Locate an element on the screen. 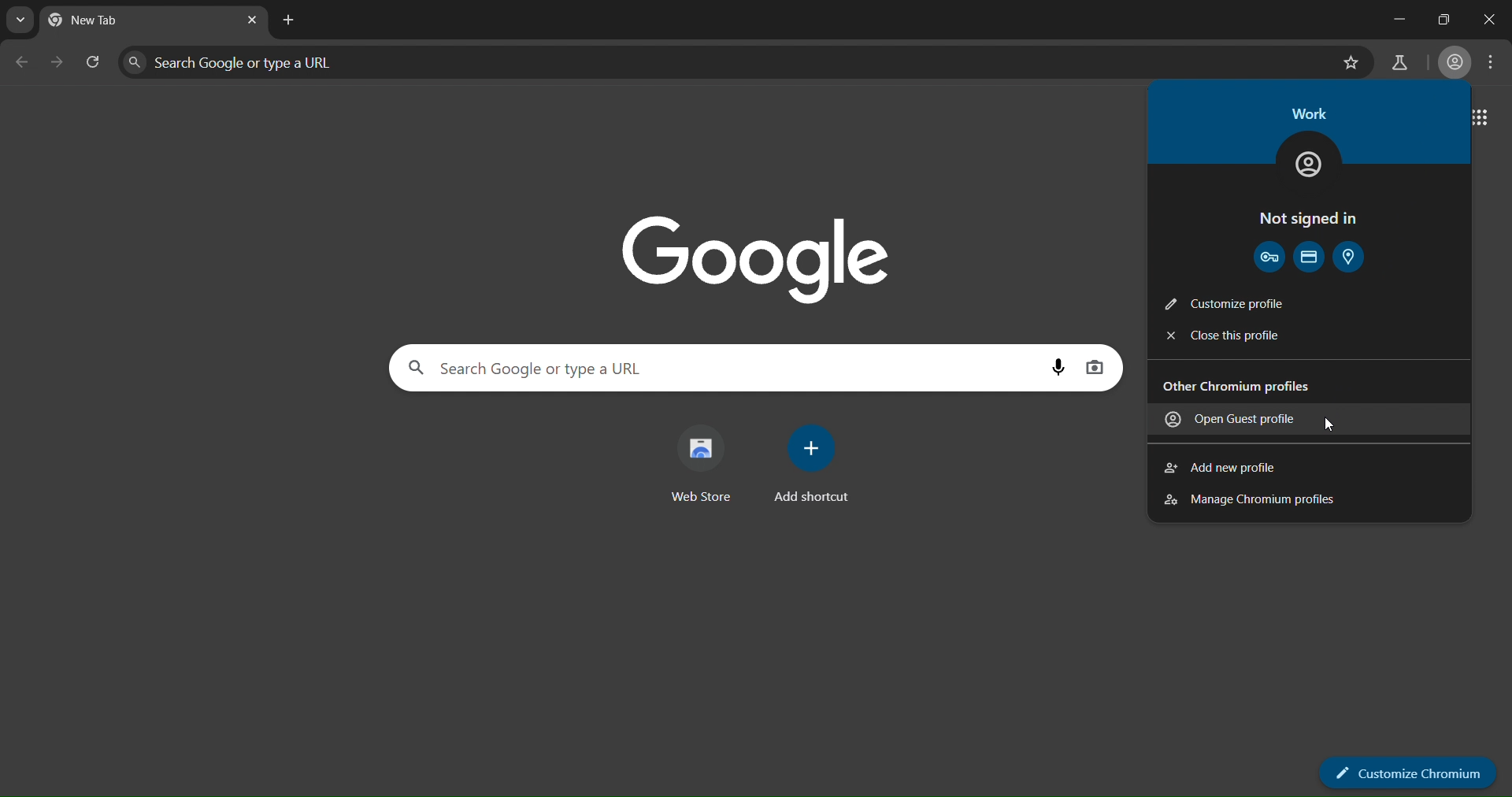  customize profile is located at coordinates (1227, 305).